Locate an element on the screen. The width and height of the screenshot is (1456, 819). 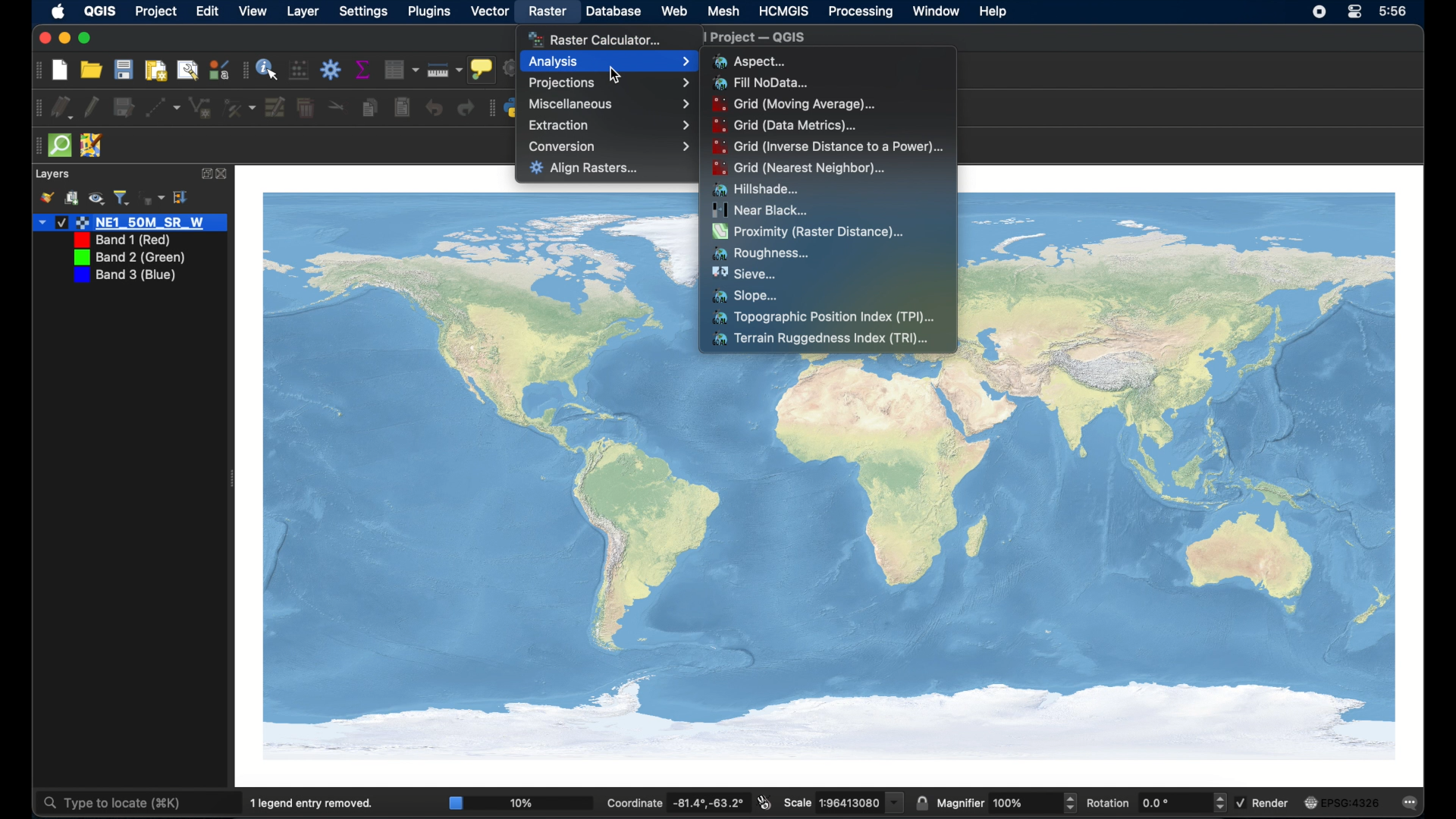
toggle extents and mouse display  position is located at coordinates (765, 802).